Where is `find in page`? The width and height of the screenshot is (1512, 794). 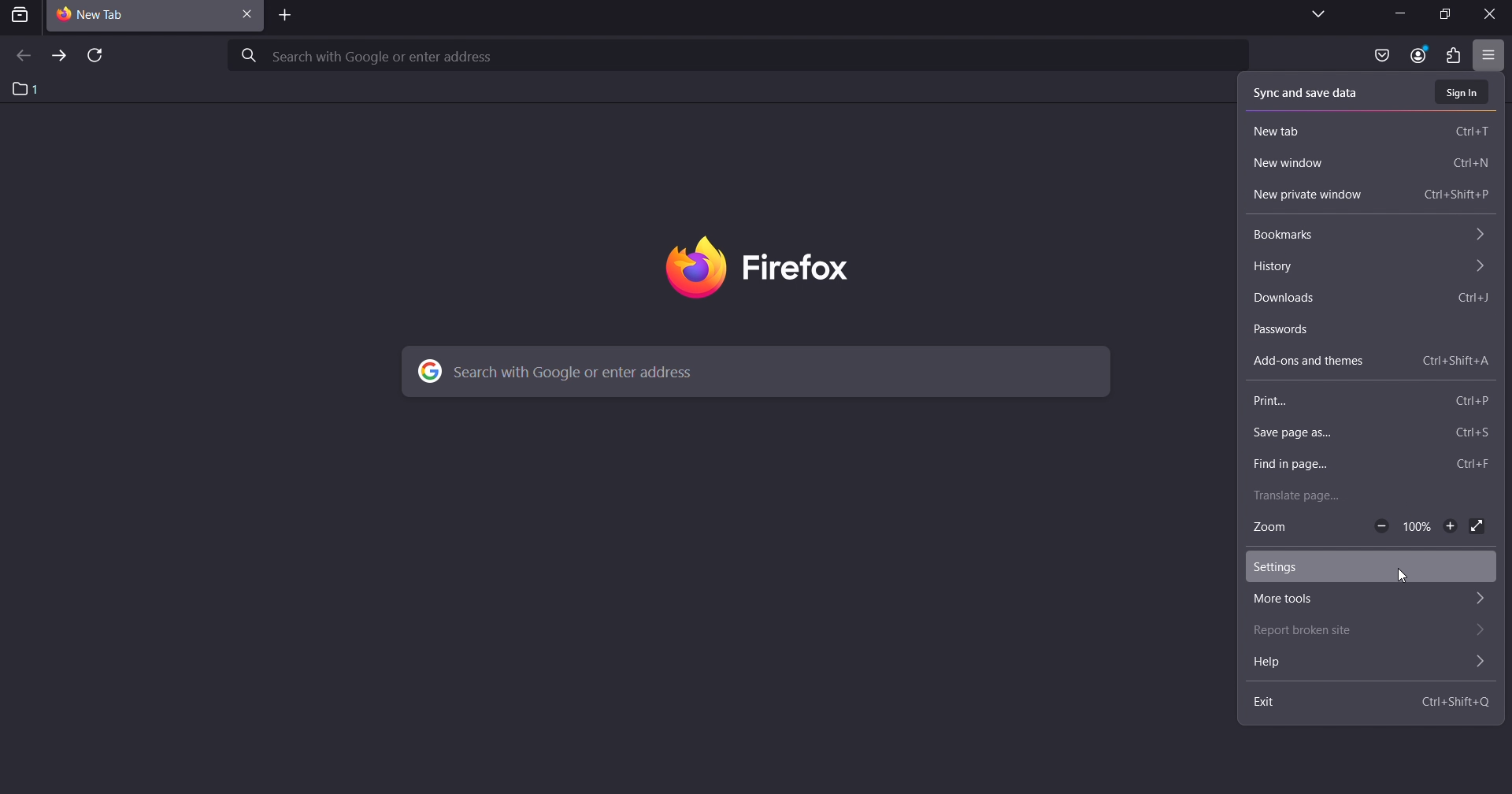 find in page is located at coordinates (1364, 463).